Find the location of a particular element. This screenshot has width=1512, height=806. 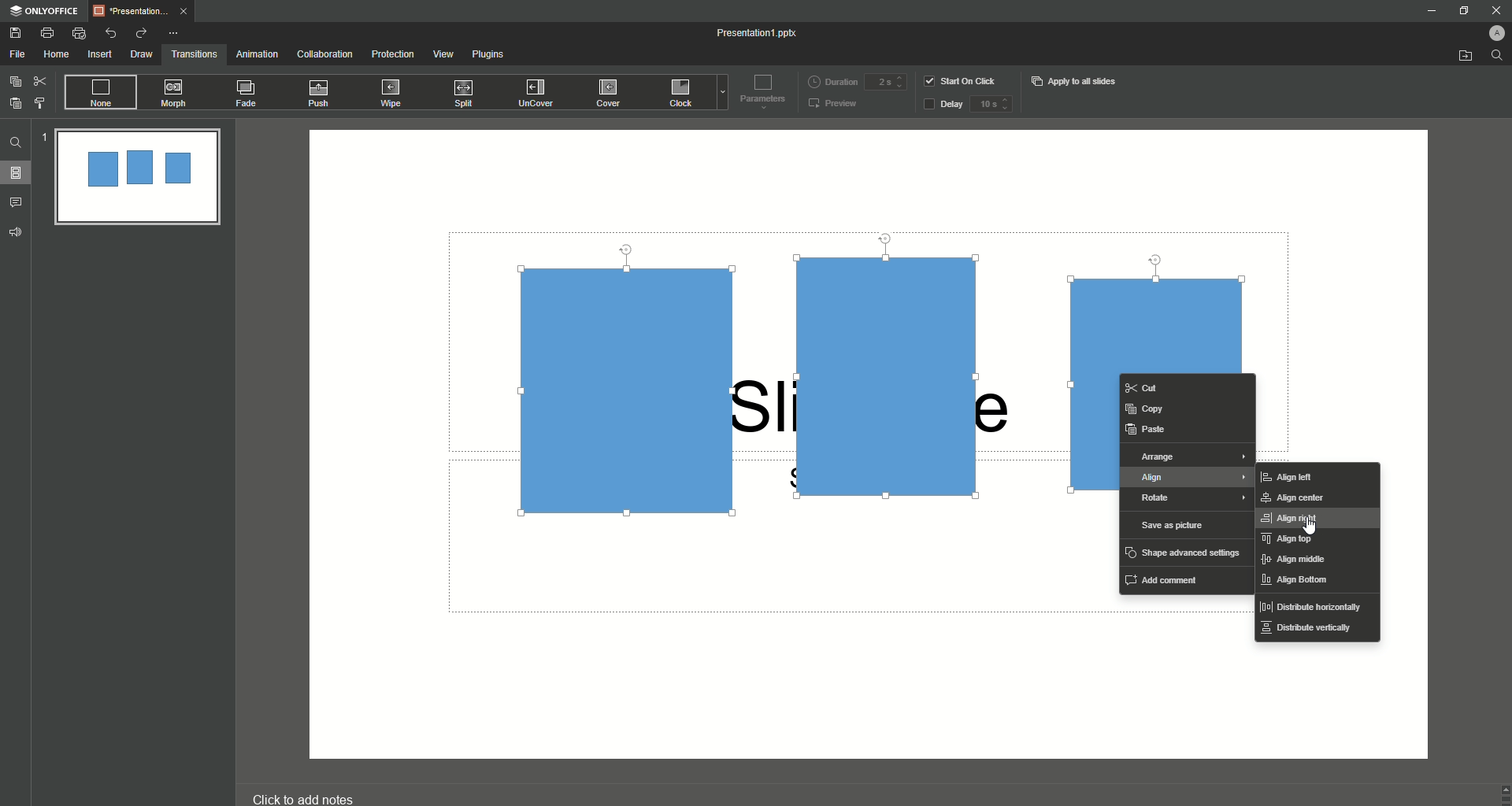

More Options is located at coordinates (176, 33).